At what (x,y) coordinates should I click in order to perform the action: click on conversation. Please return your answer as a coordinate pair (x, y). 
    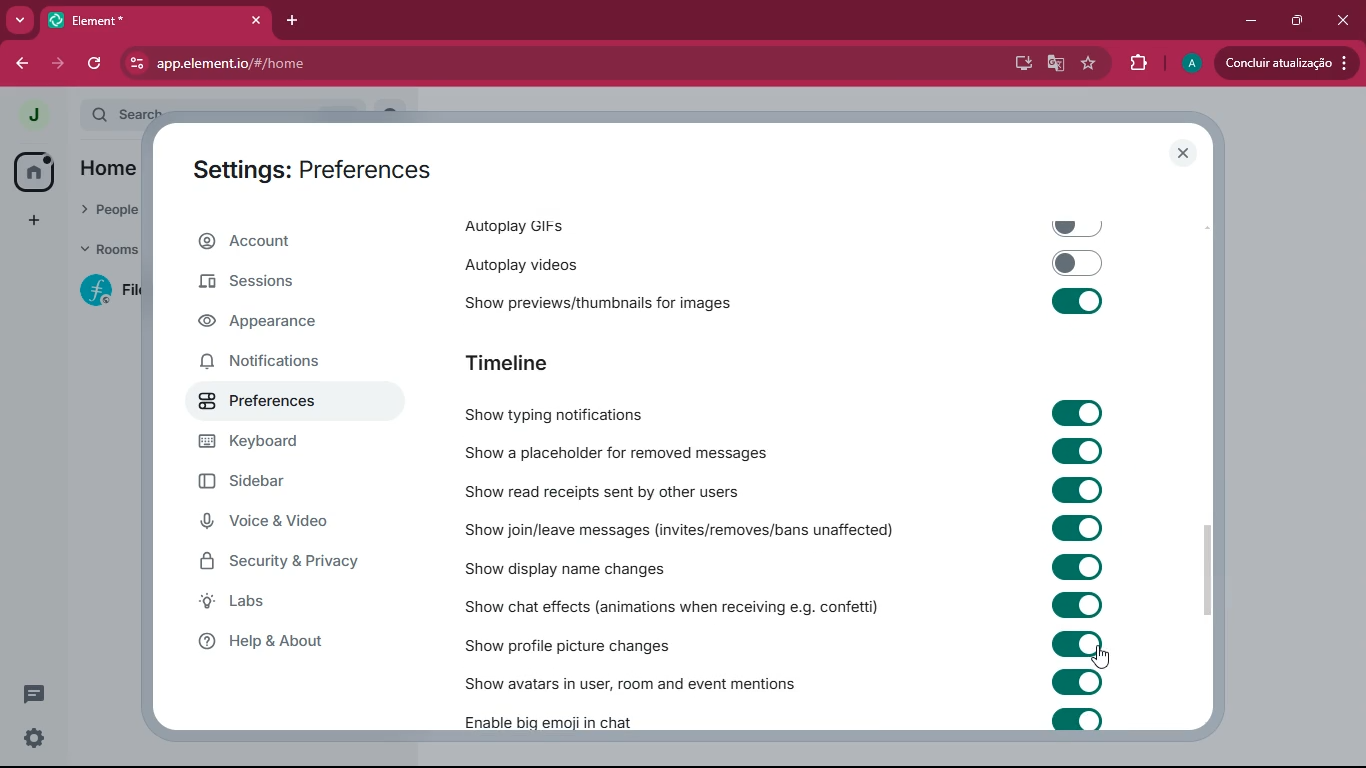
    Looking at the image, I should click on (33, 697).